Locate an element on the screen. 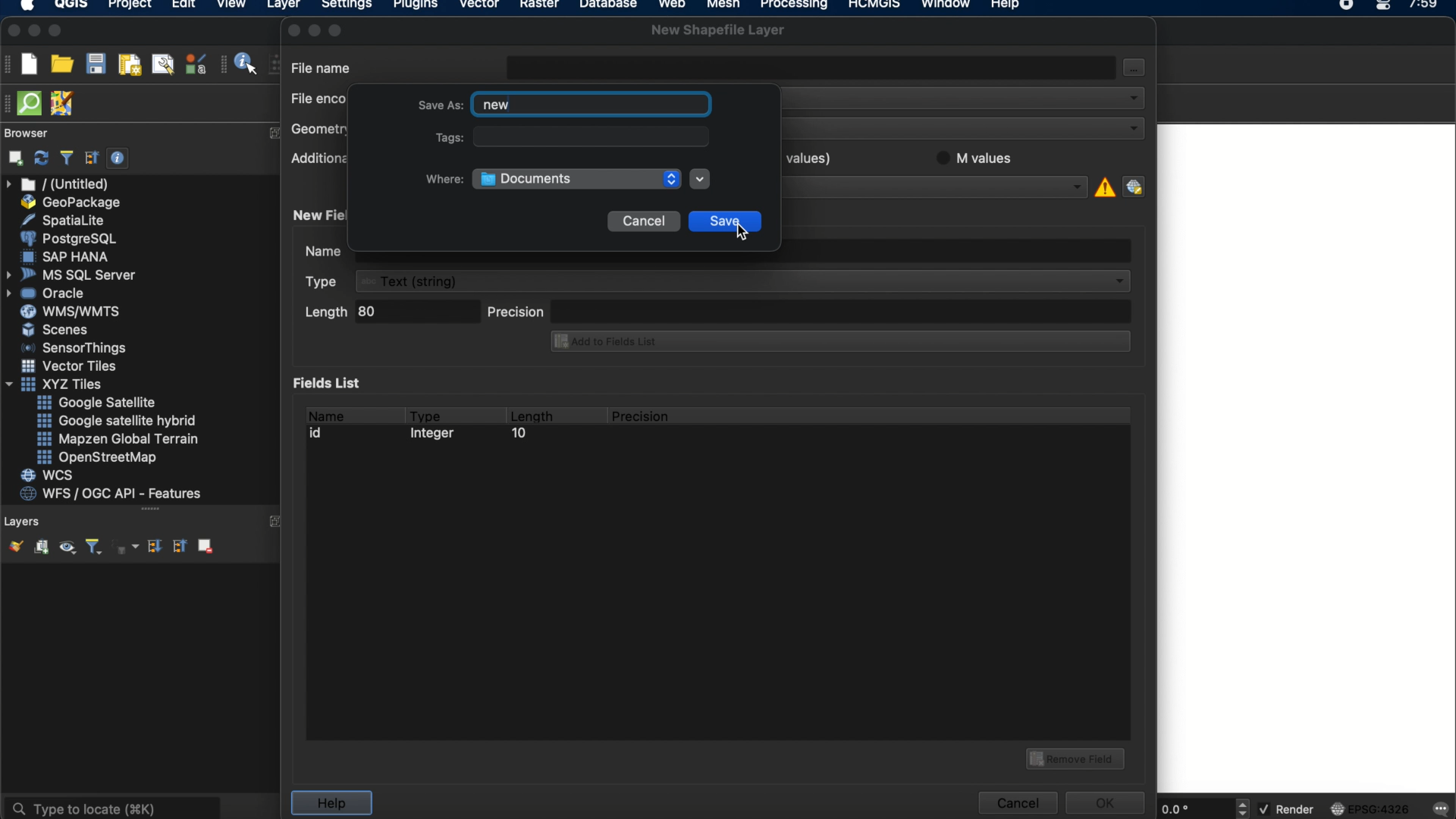  processing is located at coordinates (798, 6).